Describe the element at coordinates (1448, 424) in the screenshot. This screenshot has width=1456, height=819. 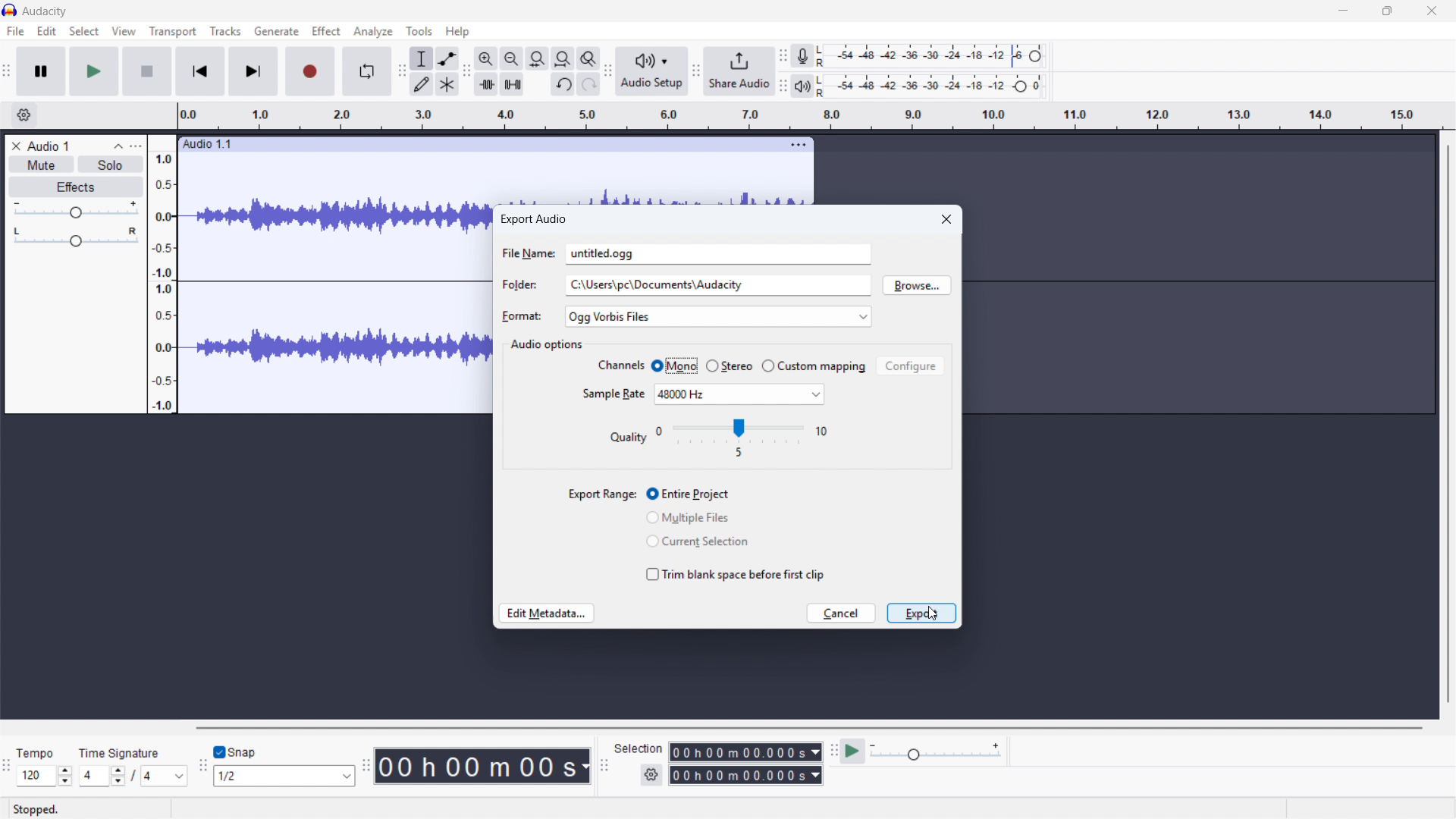
I see `Vertical scroll bar ` at that location.